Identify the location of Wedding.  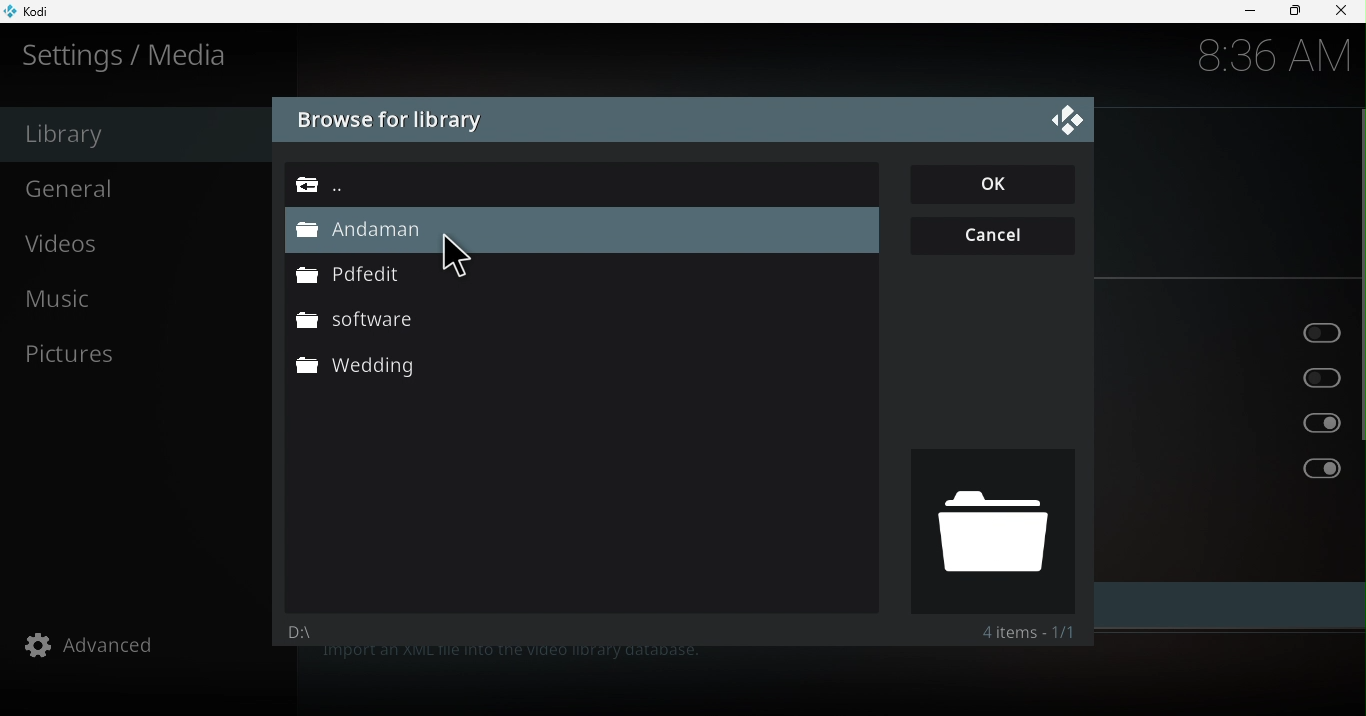
(361, 365).